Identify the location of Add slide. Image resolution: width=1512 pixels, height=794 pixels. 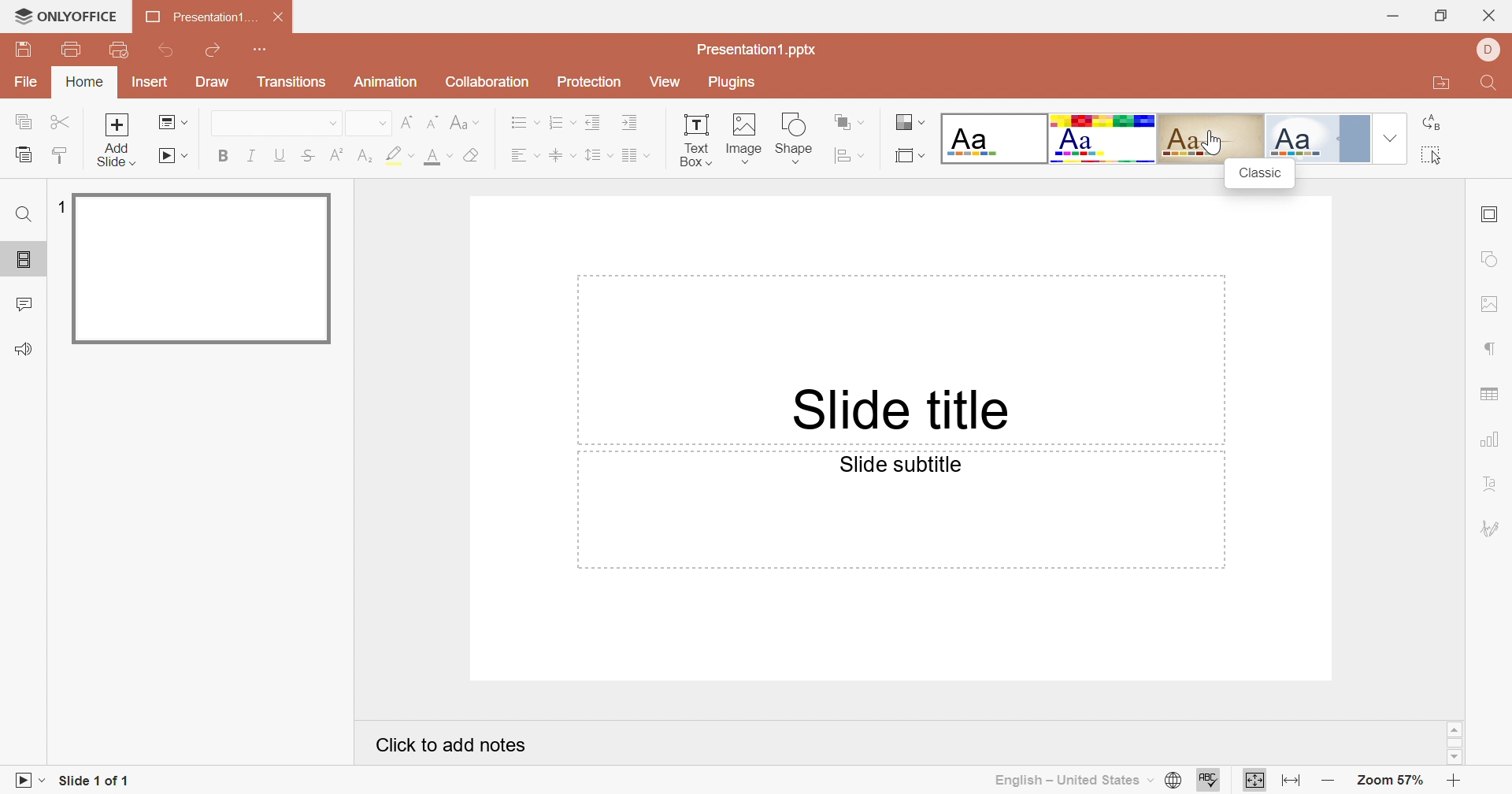
(119, 141).